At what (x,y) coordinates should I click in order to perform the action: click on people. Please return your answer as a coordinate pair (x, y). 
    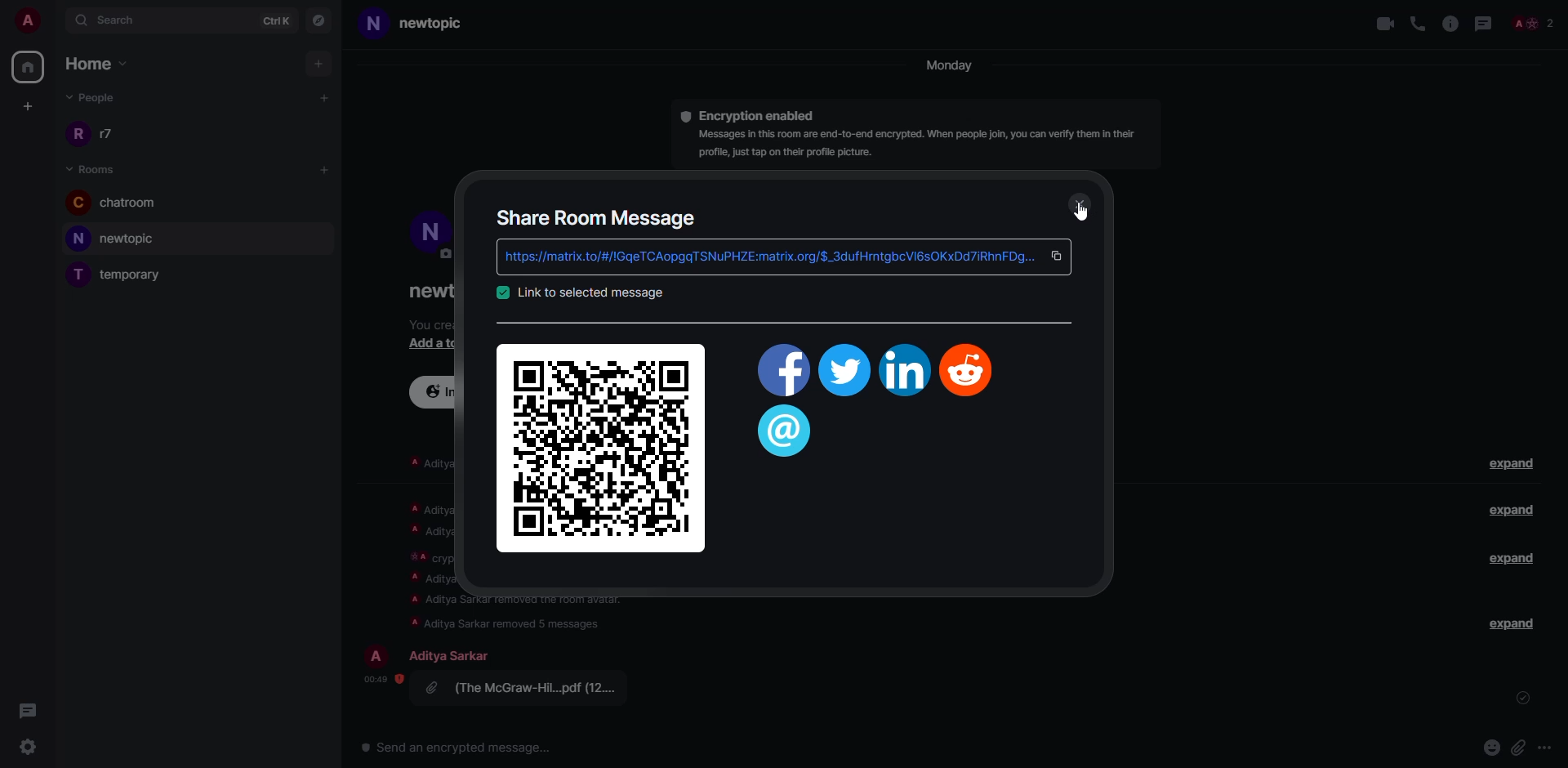
    Looking at the image, I should click on (453, 655).